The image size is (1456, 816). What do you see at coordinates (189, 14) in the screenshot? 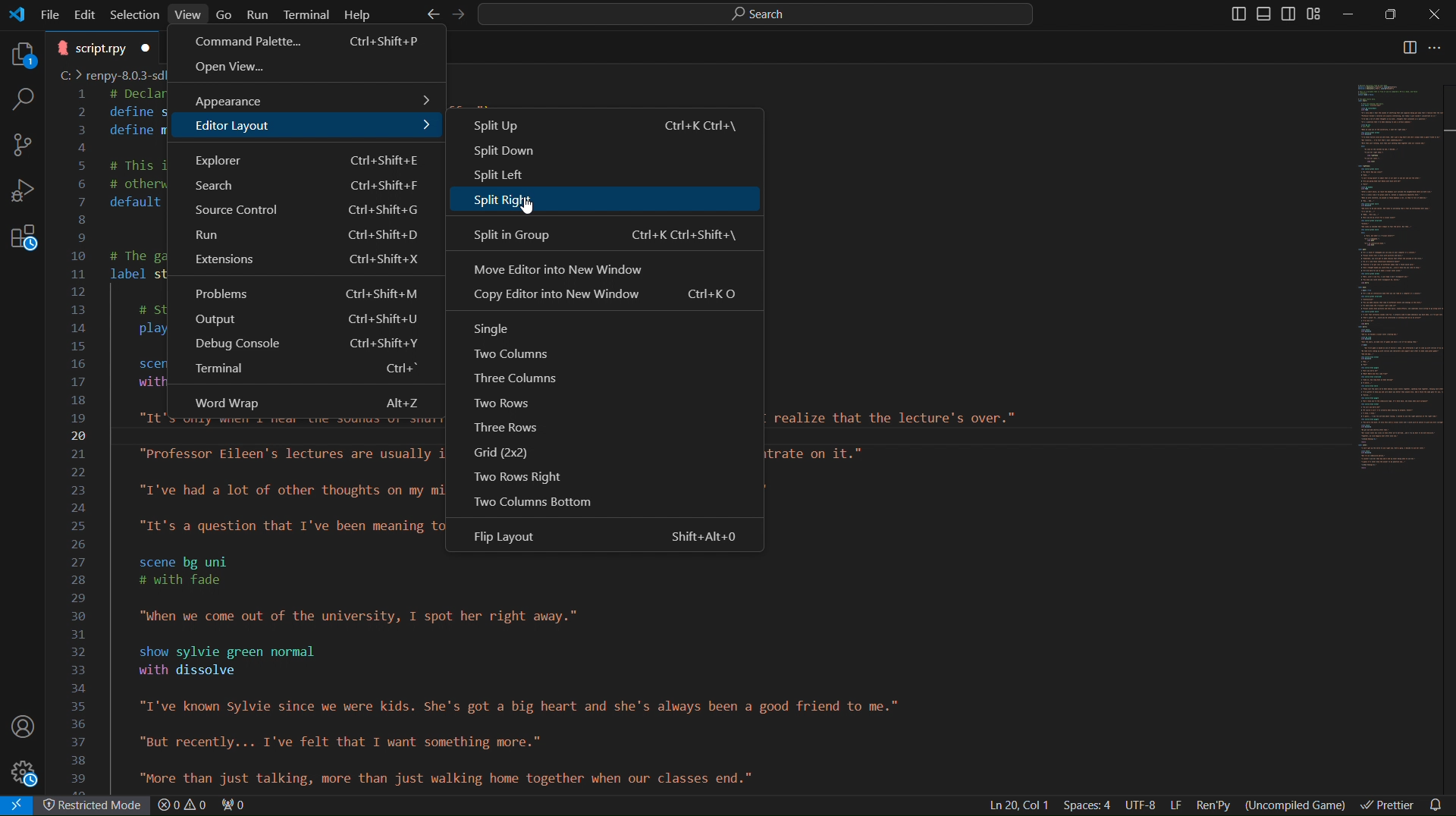
I see `View` at bounding box center [189, 14].